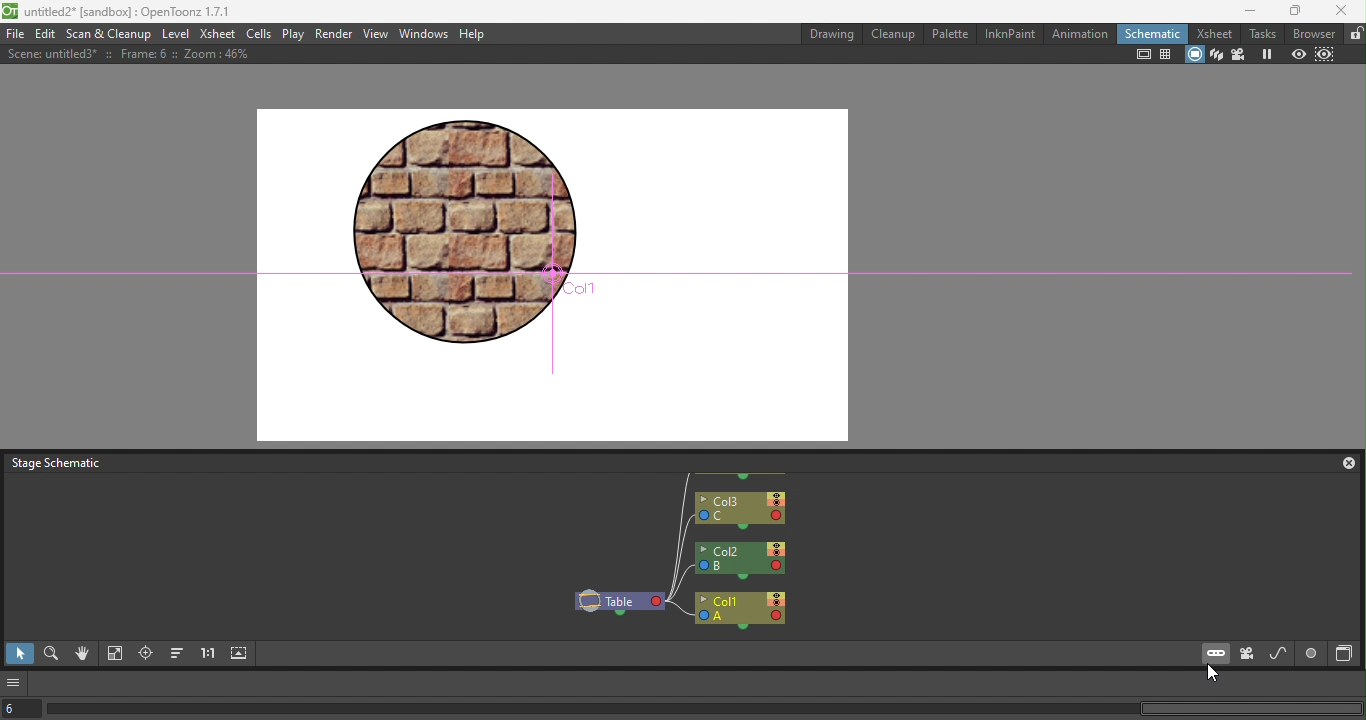  What do you see at coordinates (951, 33) in the screenshot?
I see `Palette` at bounding box center [951, 33].